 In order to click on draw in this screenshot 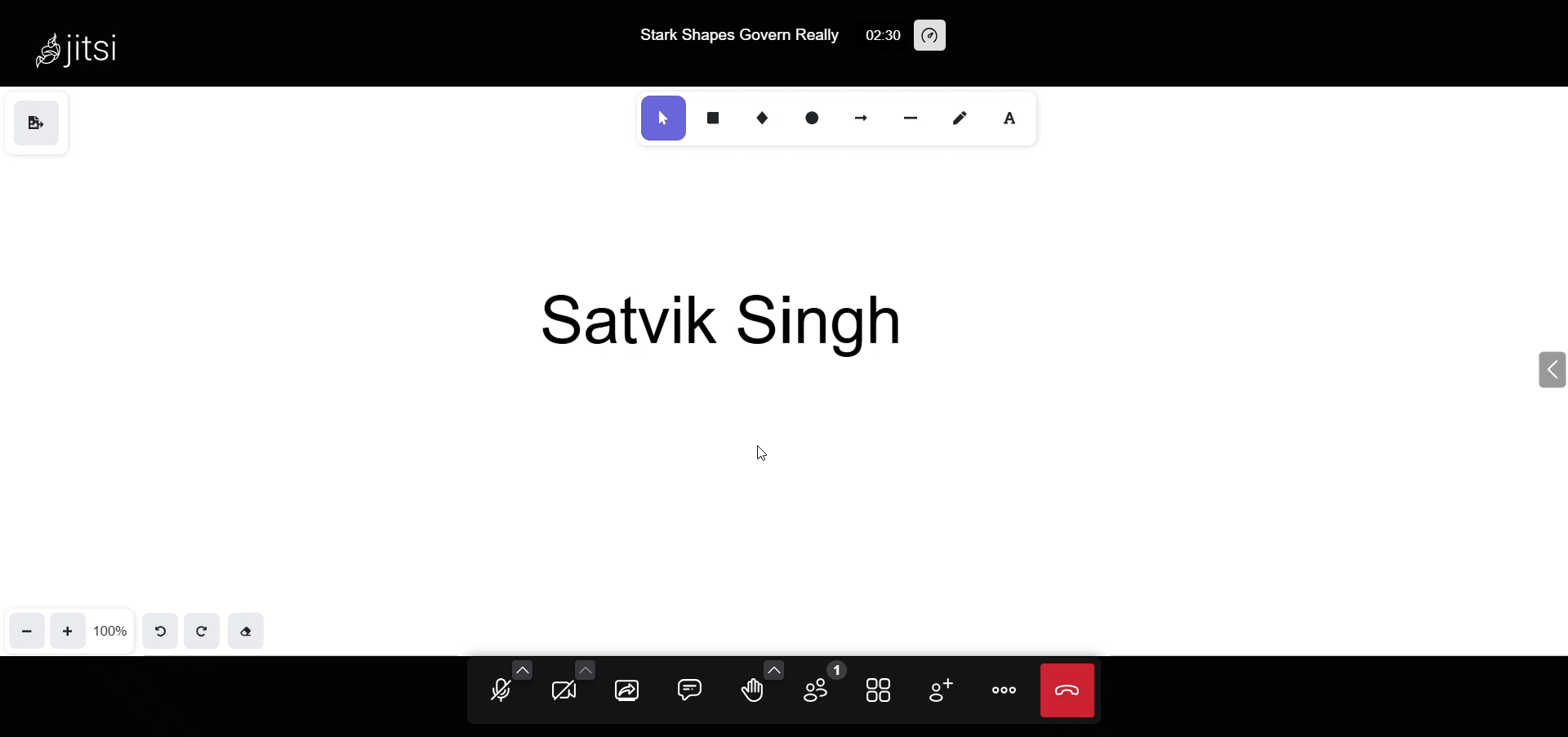, I will do `click(960, 119)`.